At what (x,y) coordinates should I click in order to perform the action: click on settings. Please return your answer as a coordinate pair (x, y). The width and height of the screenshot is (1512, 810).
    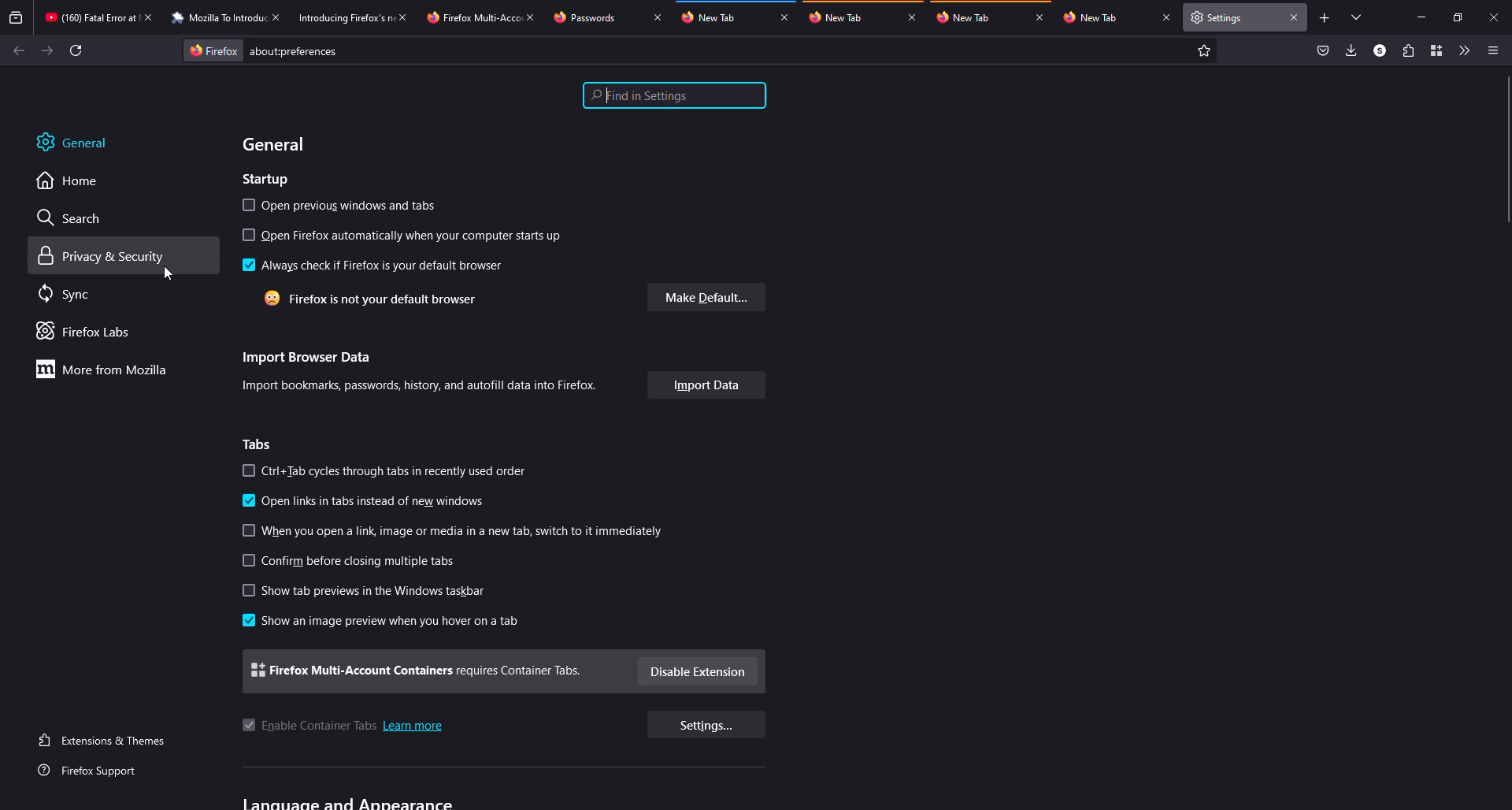
    Looking at the image, I should click on (1221, 17).